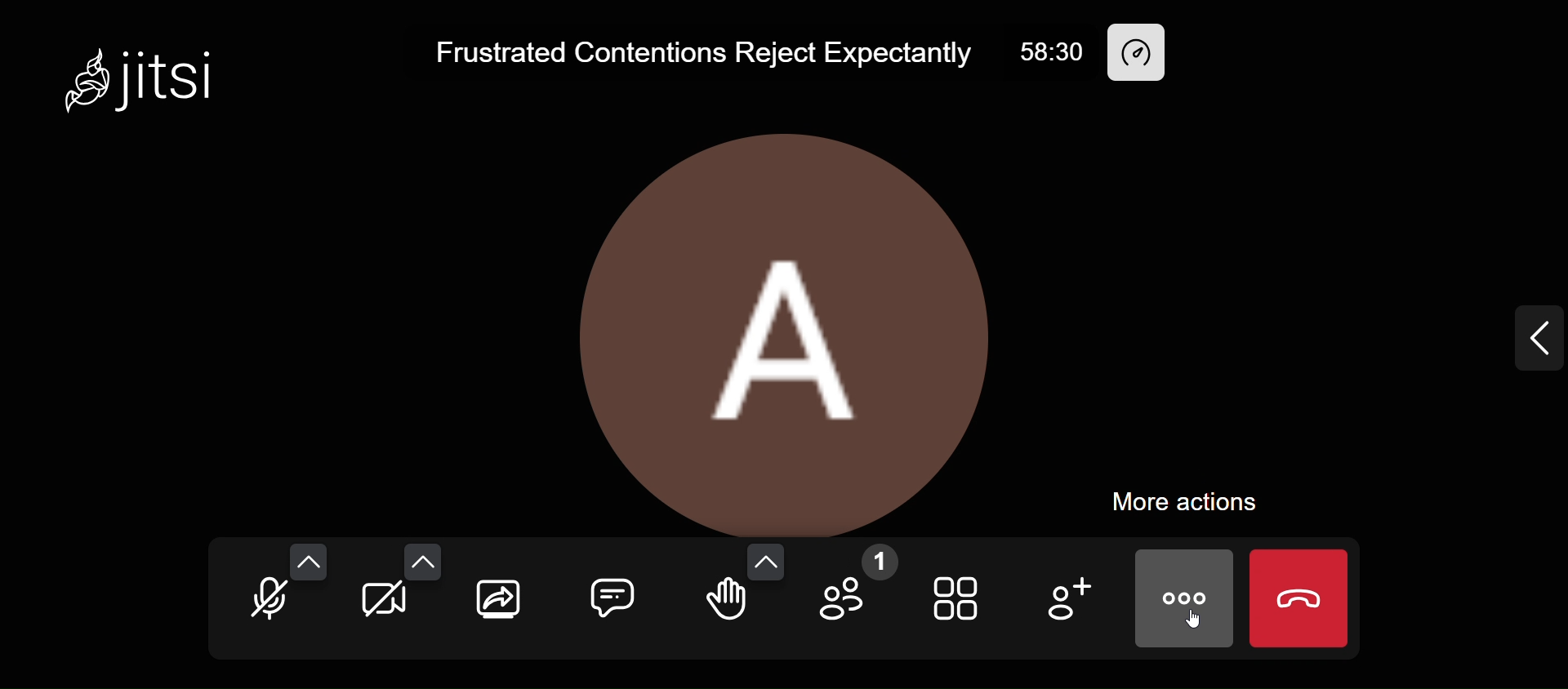 The width and height of the screenshot is (1568, 689). I want to click on 58:30, so click(1049, 51).